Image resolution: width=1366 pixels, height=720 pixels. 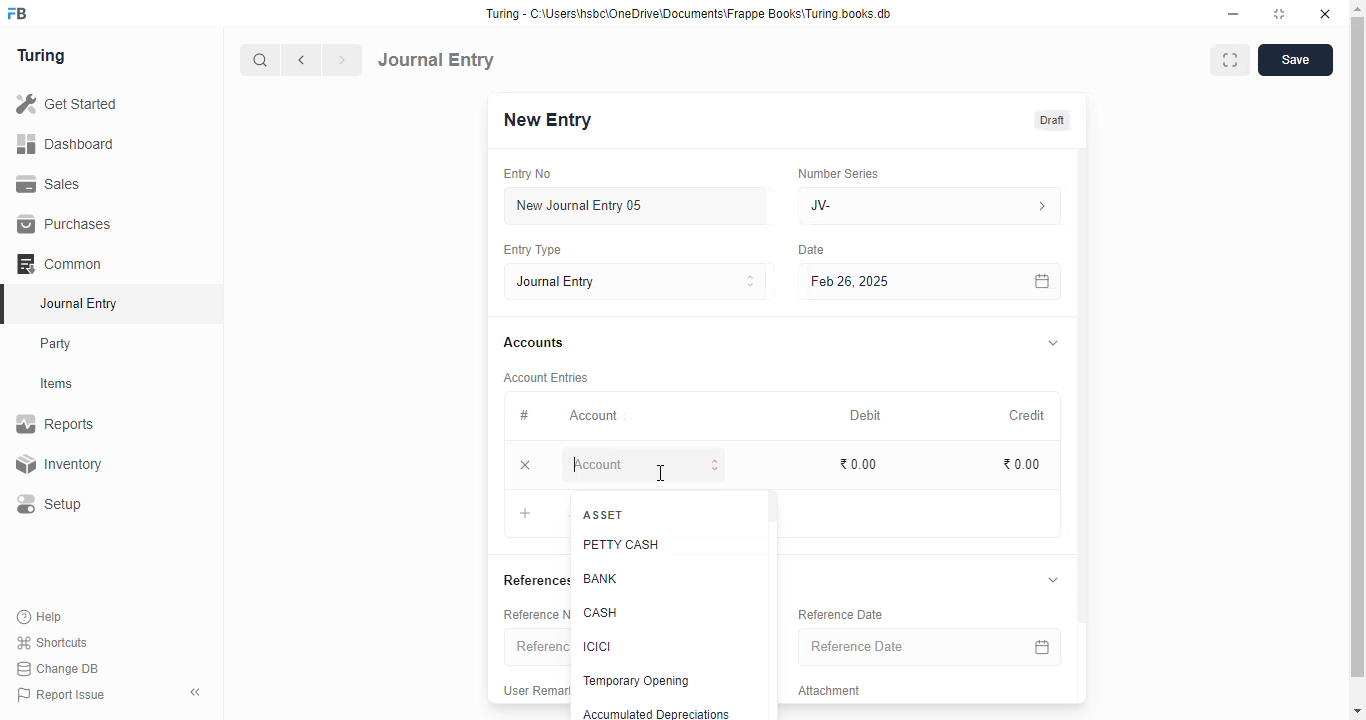 I want to click on account, so click(x=594, y=415).